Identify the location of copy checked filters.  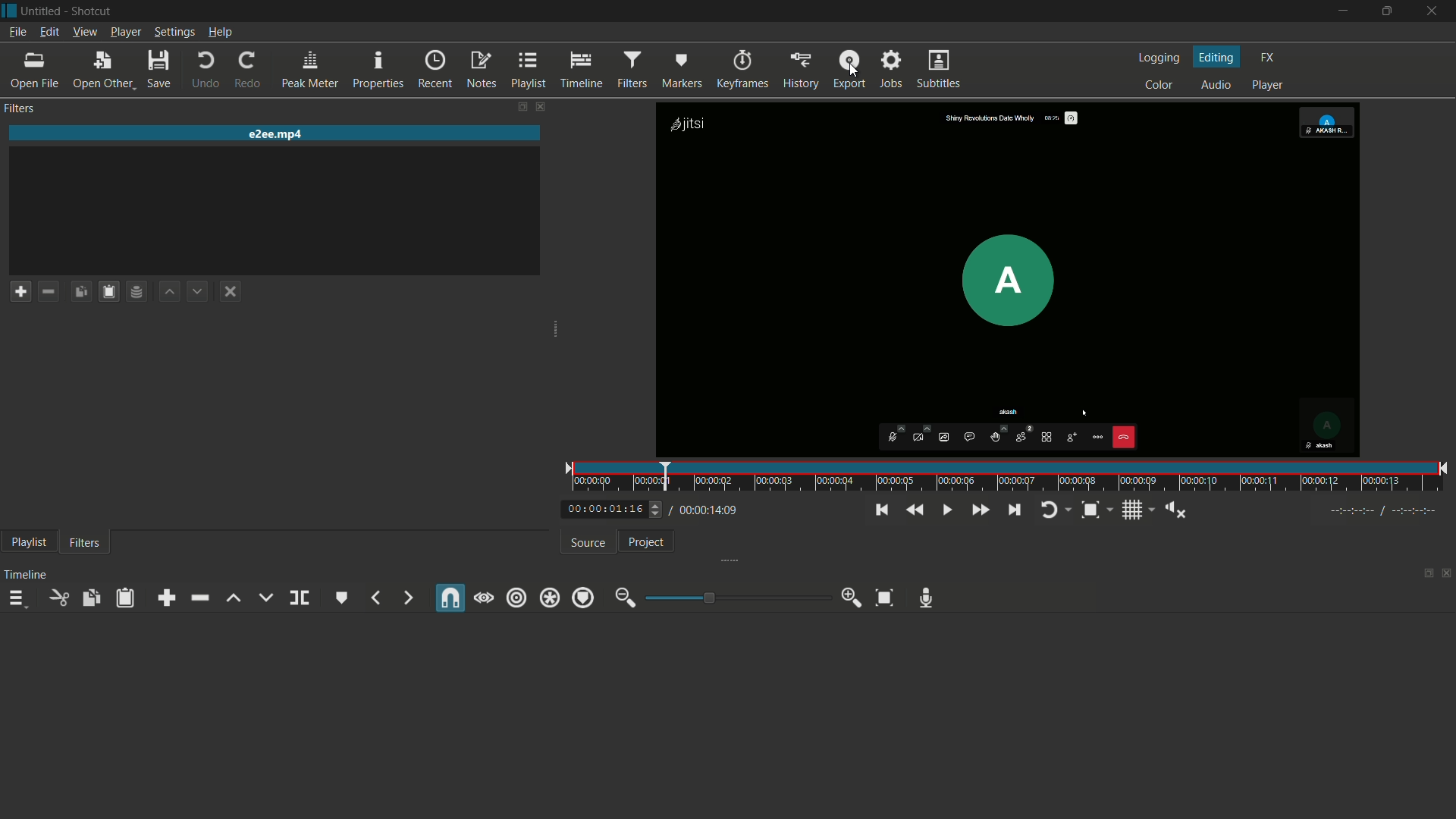
(79, 291).